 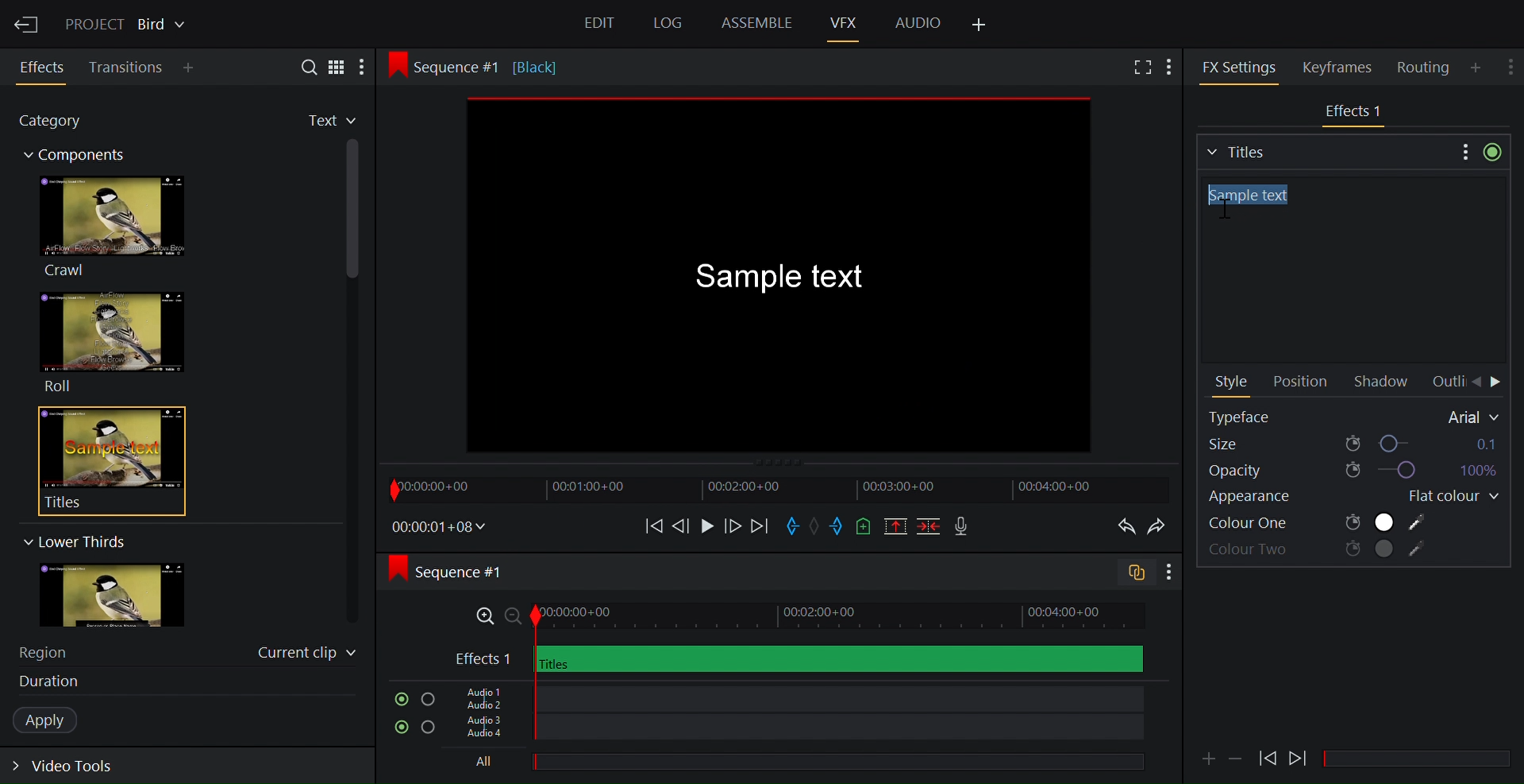 I want to click on Move Forward, so click(x=1497, y=383).